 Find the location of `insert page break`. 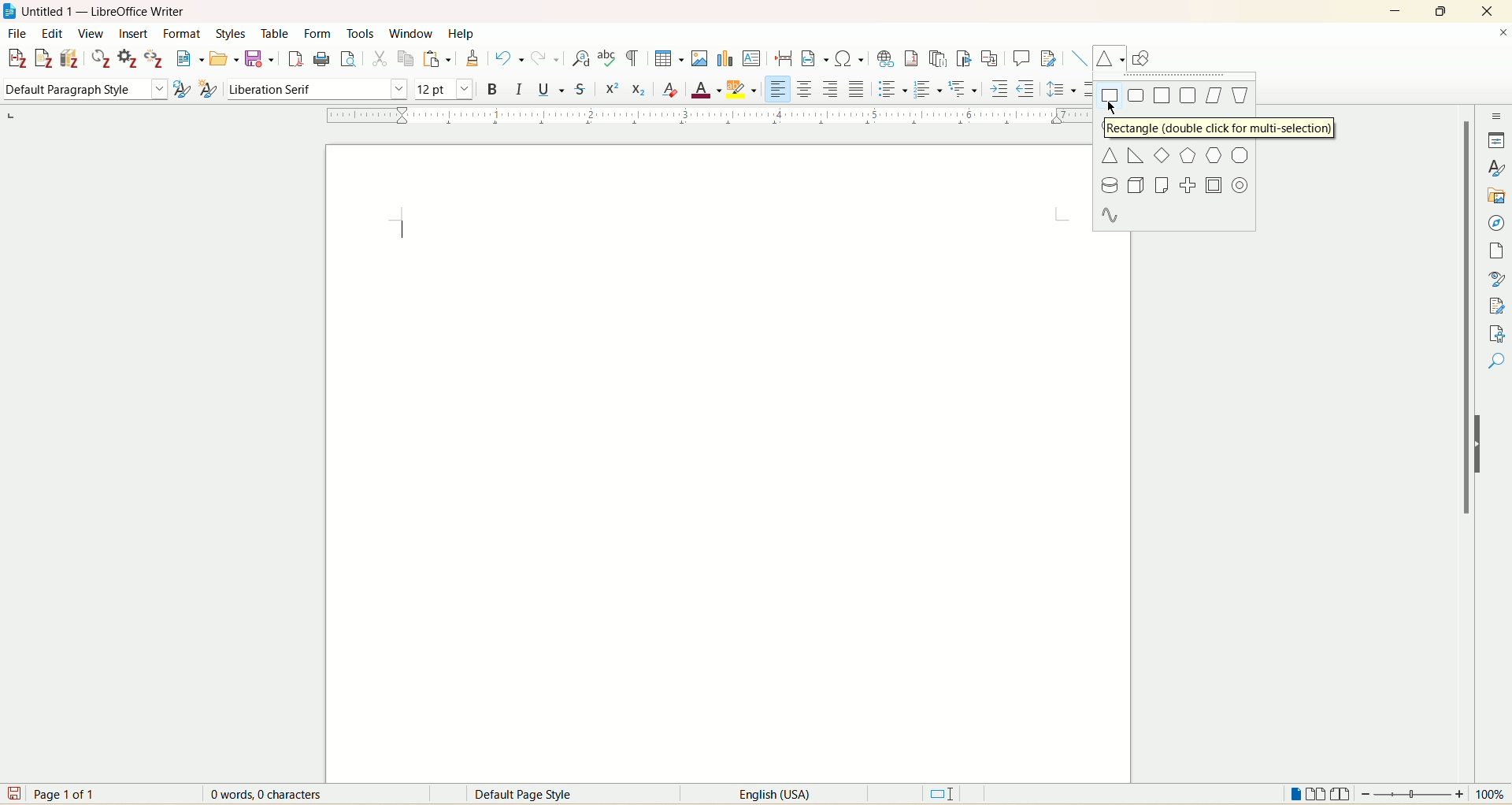

insert page break is located at coordinates (783, 57).